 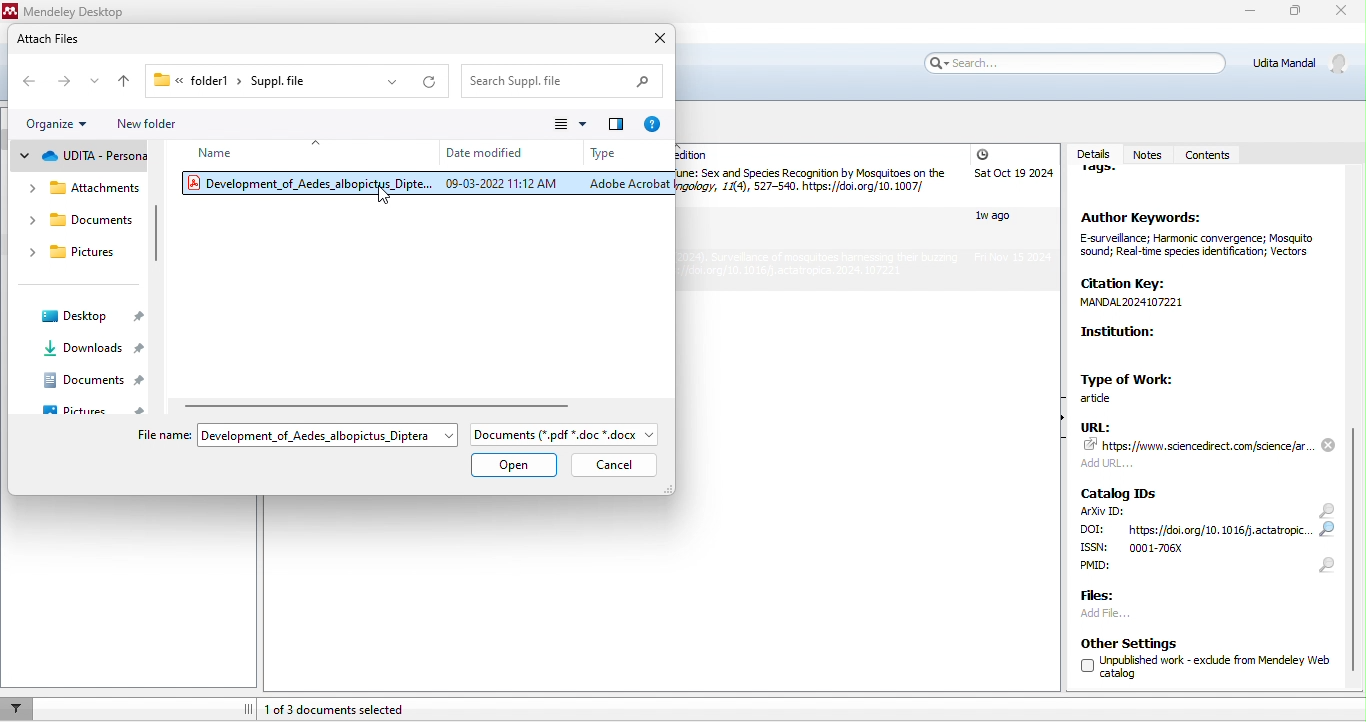 What do you see at coordinates (1104, 594) in the screenshot?
I see `files` at bounding box center [1104, 594].